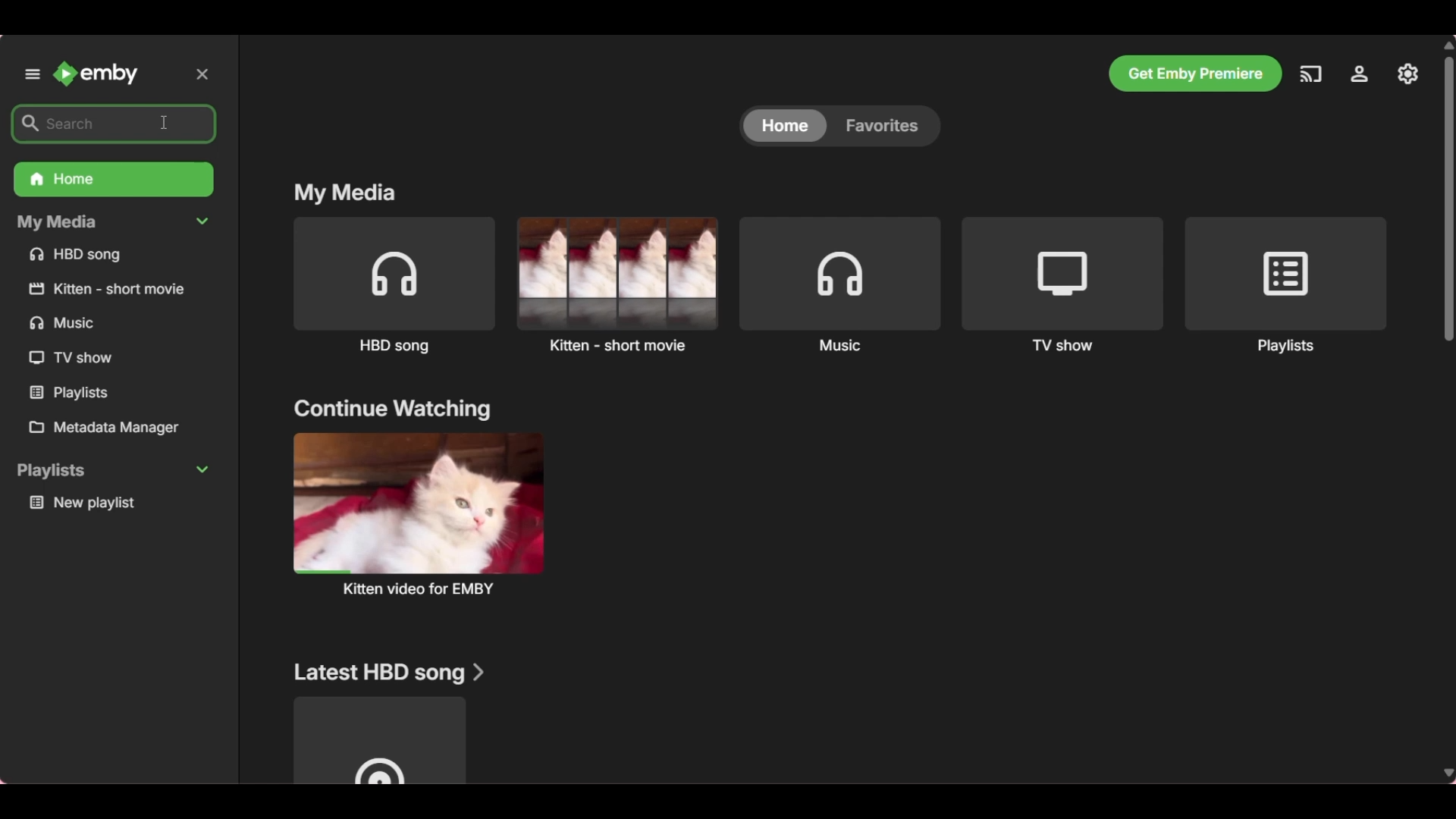 The width and height of the screenshot is (1456, 819). I want to click on TV show, so click(1063, 285).